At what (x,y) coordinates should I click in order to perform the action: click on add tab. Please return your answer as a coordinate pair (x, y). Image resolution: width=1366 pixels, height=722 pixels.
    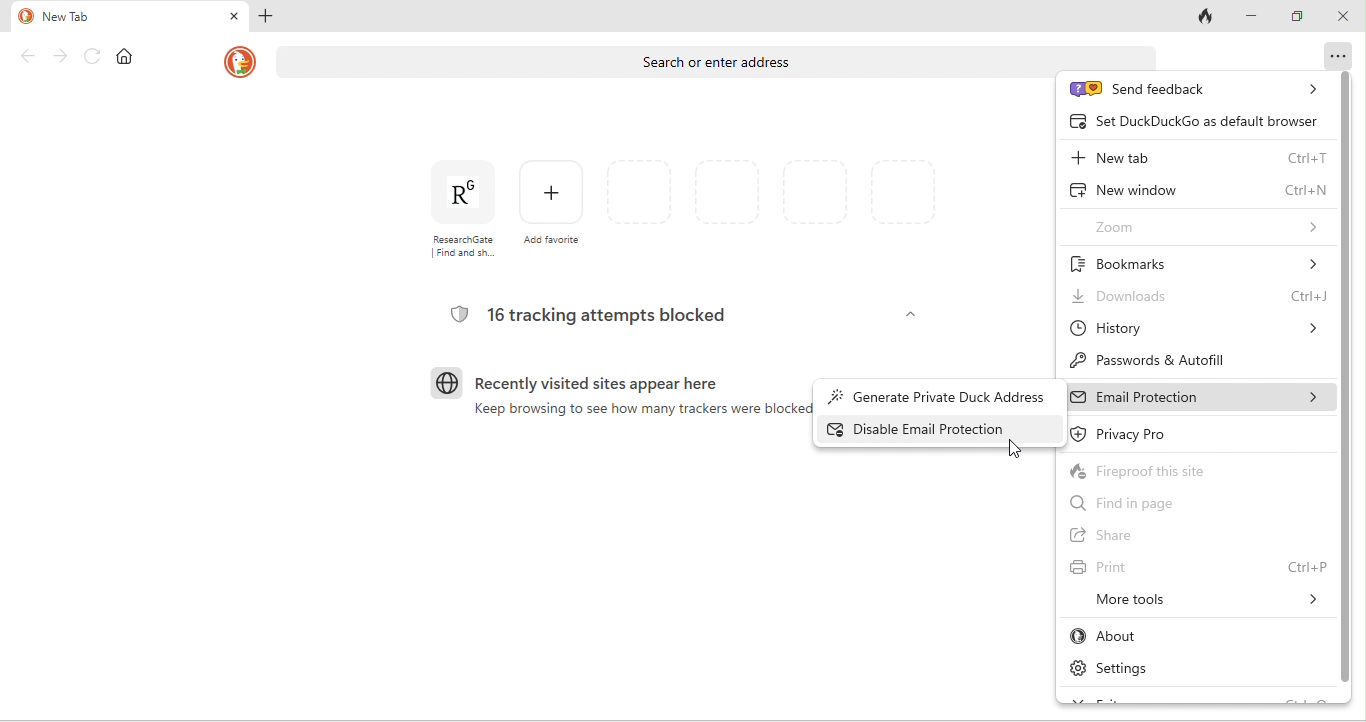
    Looking at the image, I should click on (269, 18).